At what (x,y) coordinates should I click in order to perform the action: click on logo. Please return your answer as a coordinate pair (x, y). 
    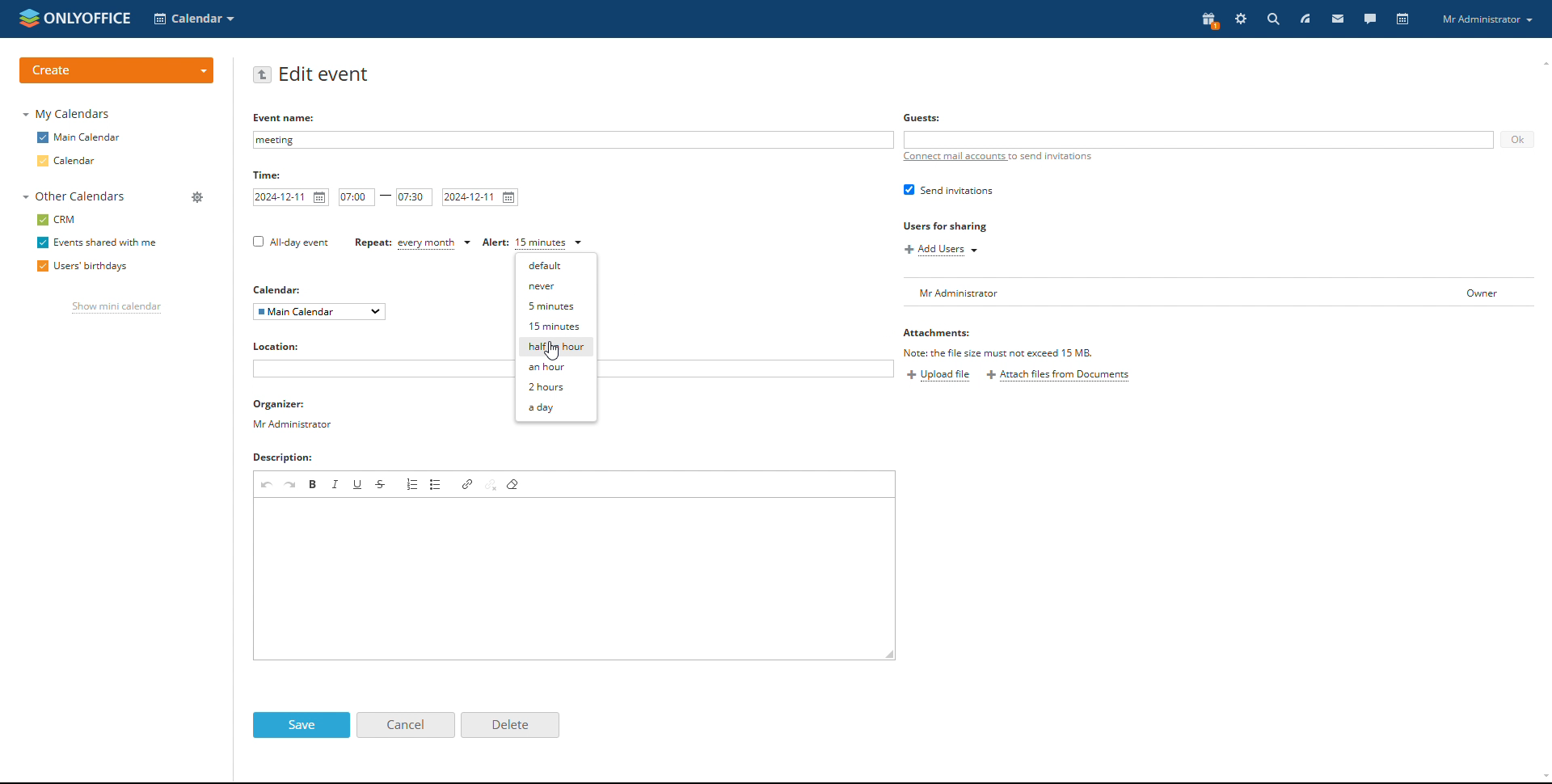
    Looking at the image, I should click on (75, 18).